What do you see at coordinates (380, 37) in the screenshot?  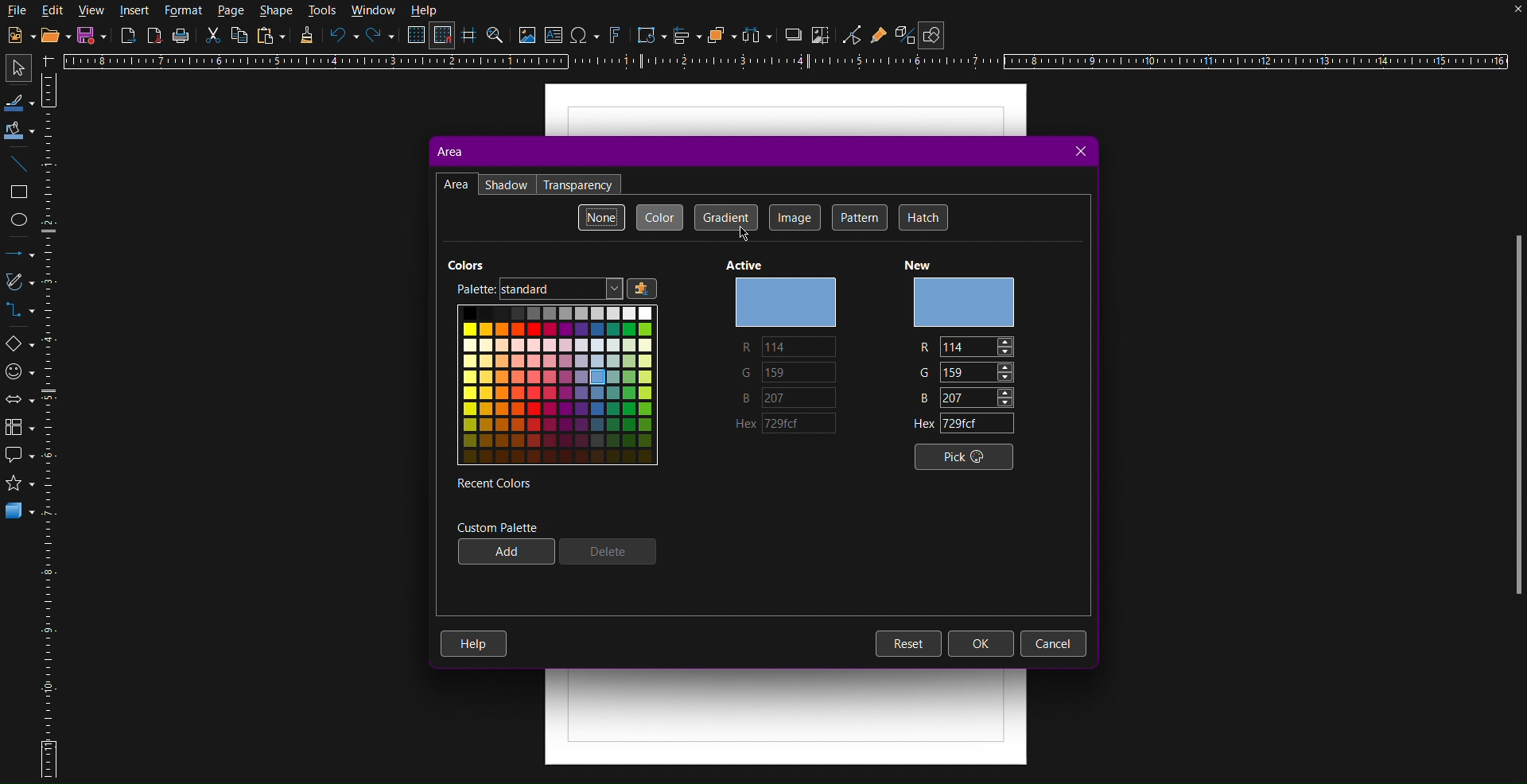 I see `Redo` at bounding box center [380, 37].